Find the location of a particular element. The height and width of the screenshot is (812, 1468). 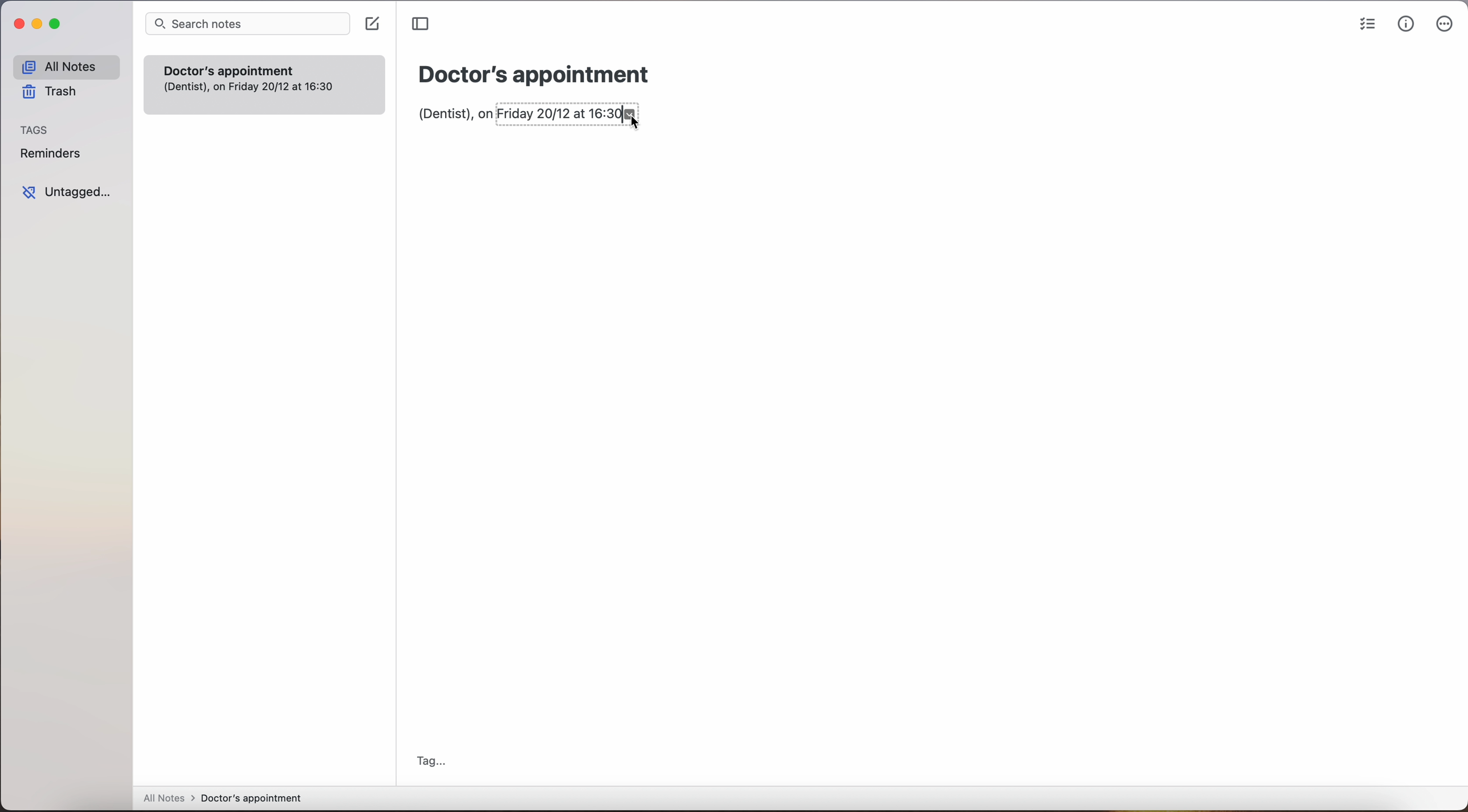

more options is located at coordinates (1445, 24).